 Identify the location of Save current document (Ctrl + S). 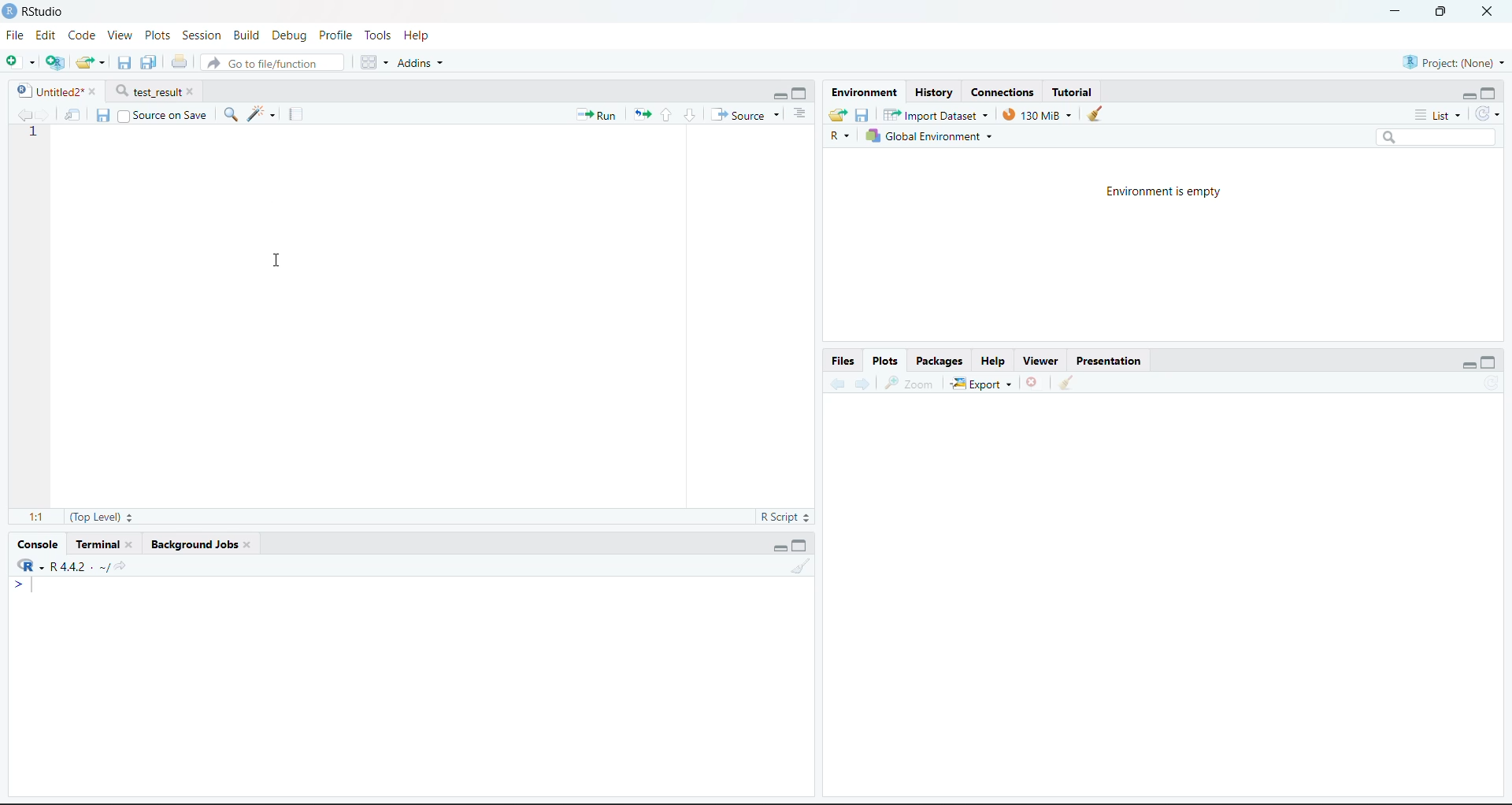
(150, 60).